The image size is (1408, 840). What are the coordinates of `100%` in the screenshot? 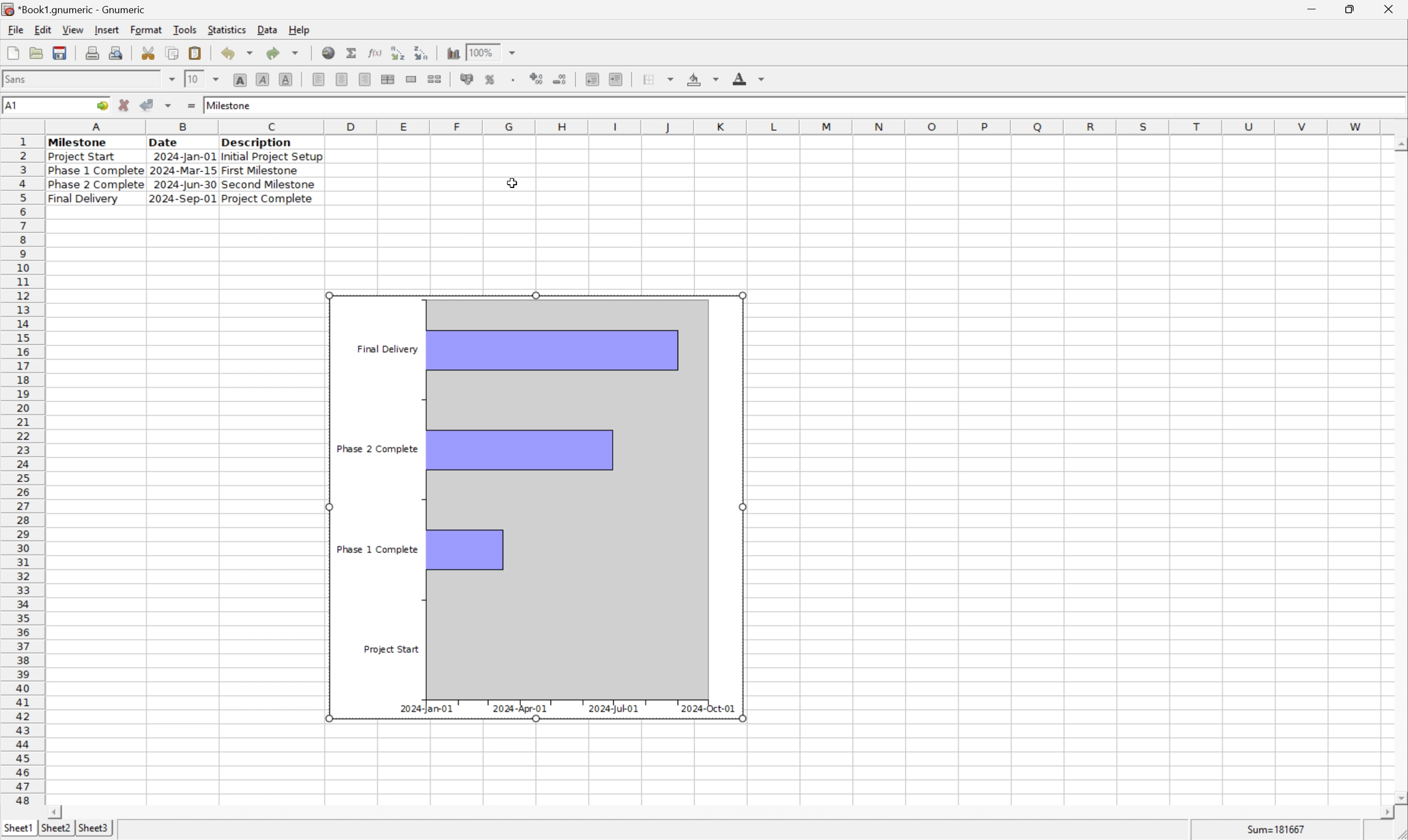 It's located at (483, 50).